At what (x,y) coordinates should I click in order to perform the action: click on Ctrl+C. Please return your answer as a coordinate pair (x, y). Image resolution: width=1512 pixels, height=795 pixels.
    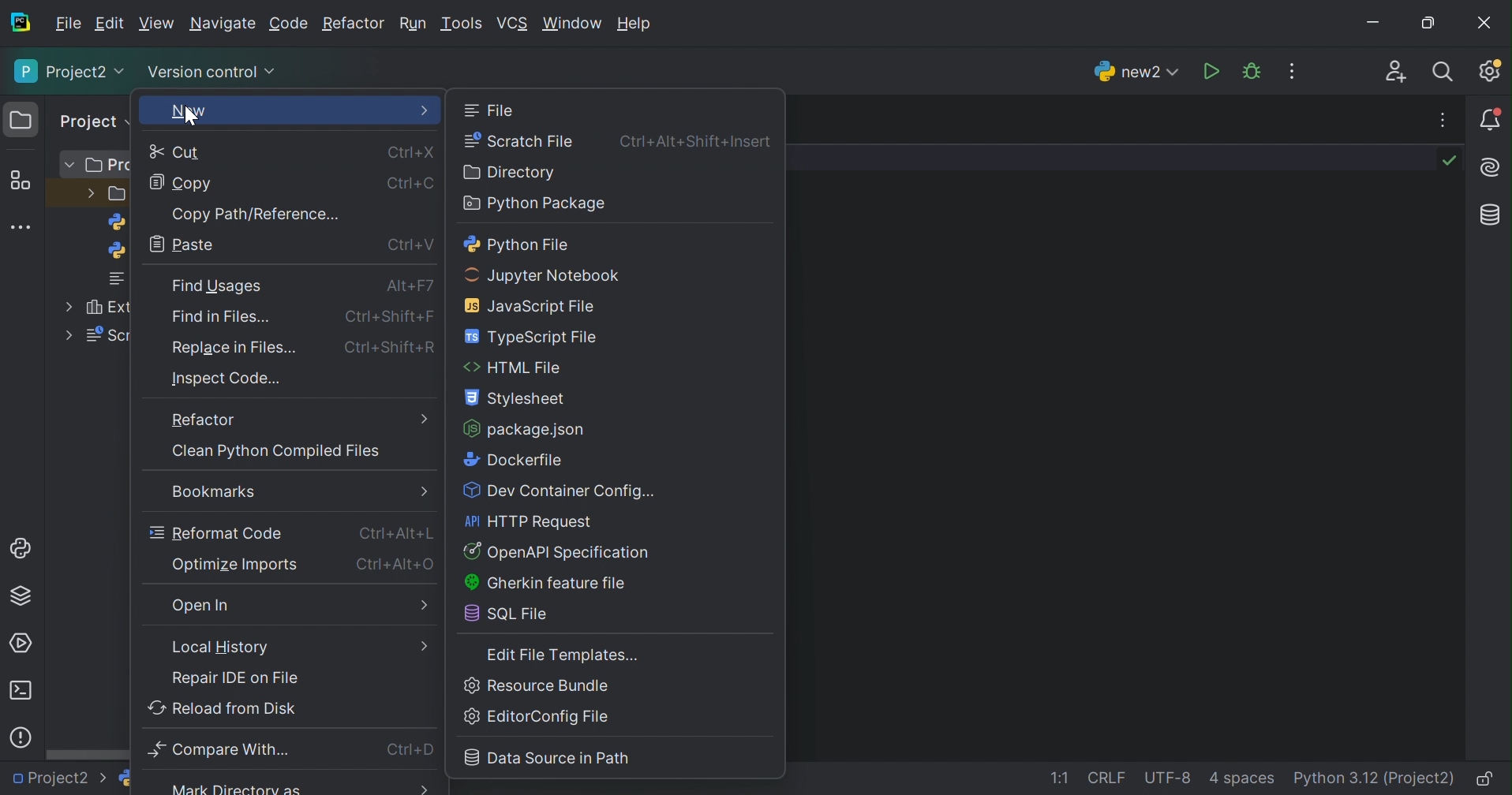
    Looking at the image, I should click on (406, 181).